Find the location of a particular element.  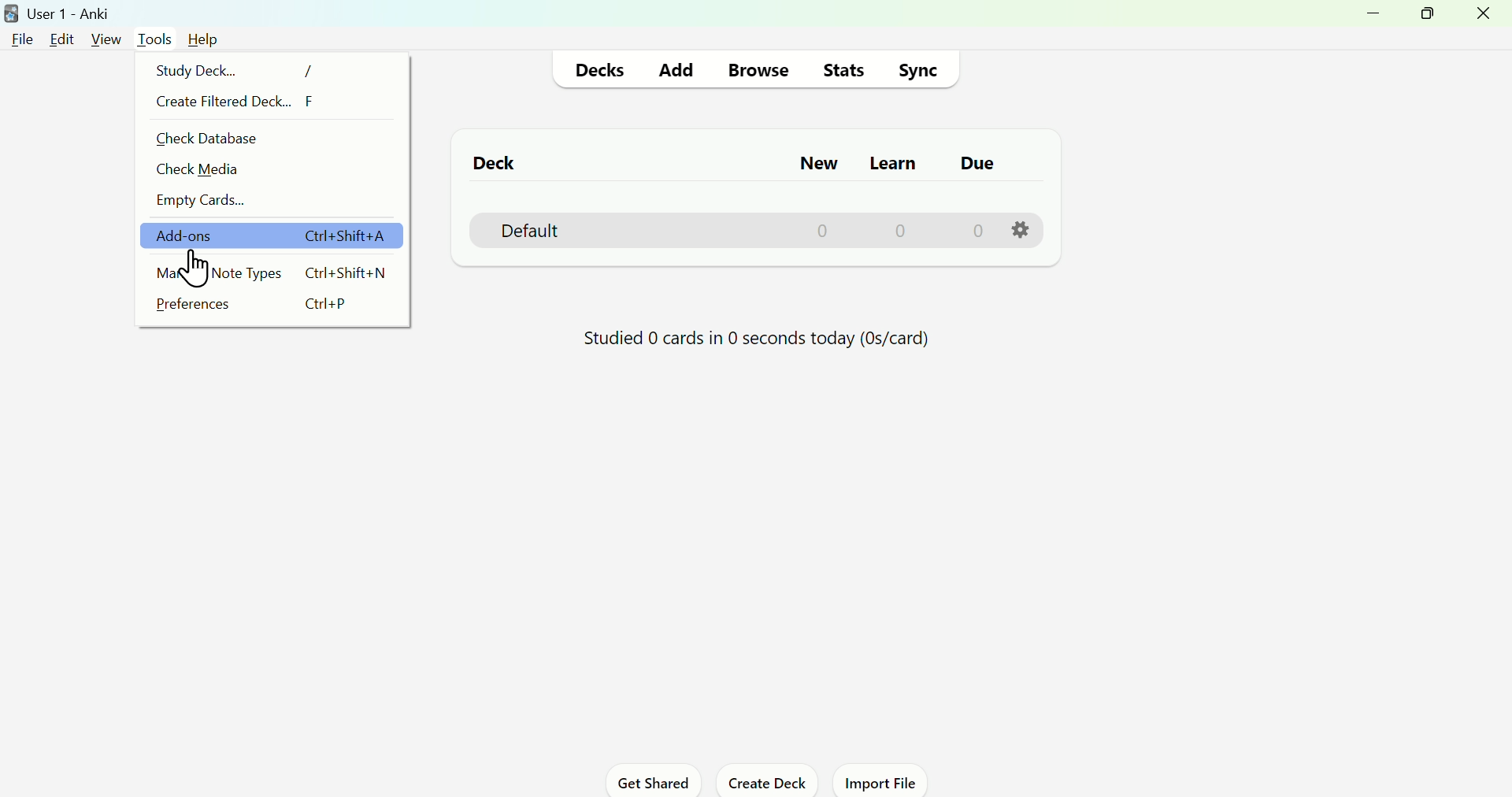

Add is located at coordinates (680, 69).